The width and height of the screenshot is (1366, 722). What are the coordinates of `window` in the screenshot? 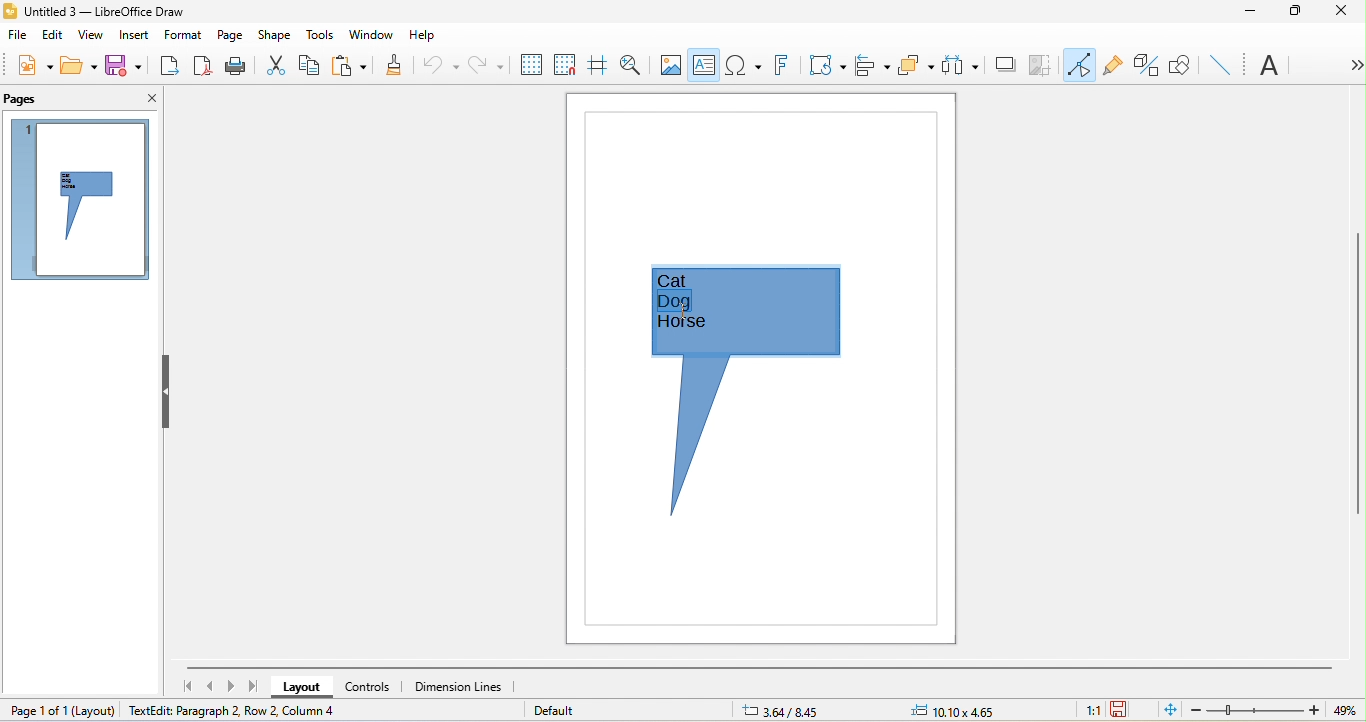 It's located at (375, 34).